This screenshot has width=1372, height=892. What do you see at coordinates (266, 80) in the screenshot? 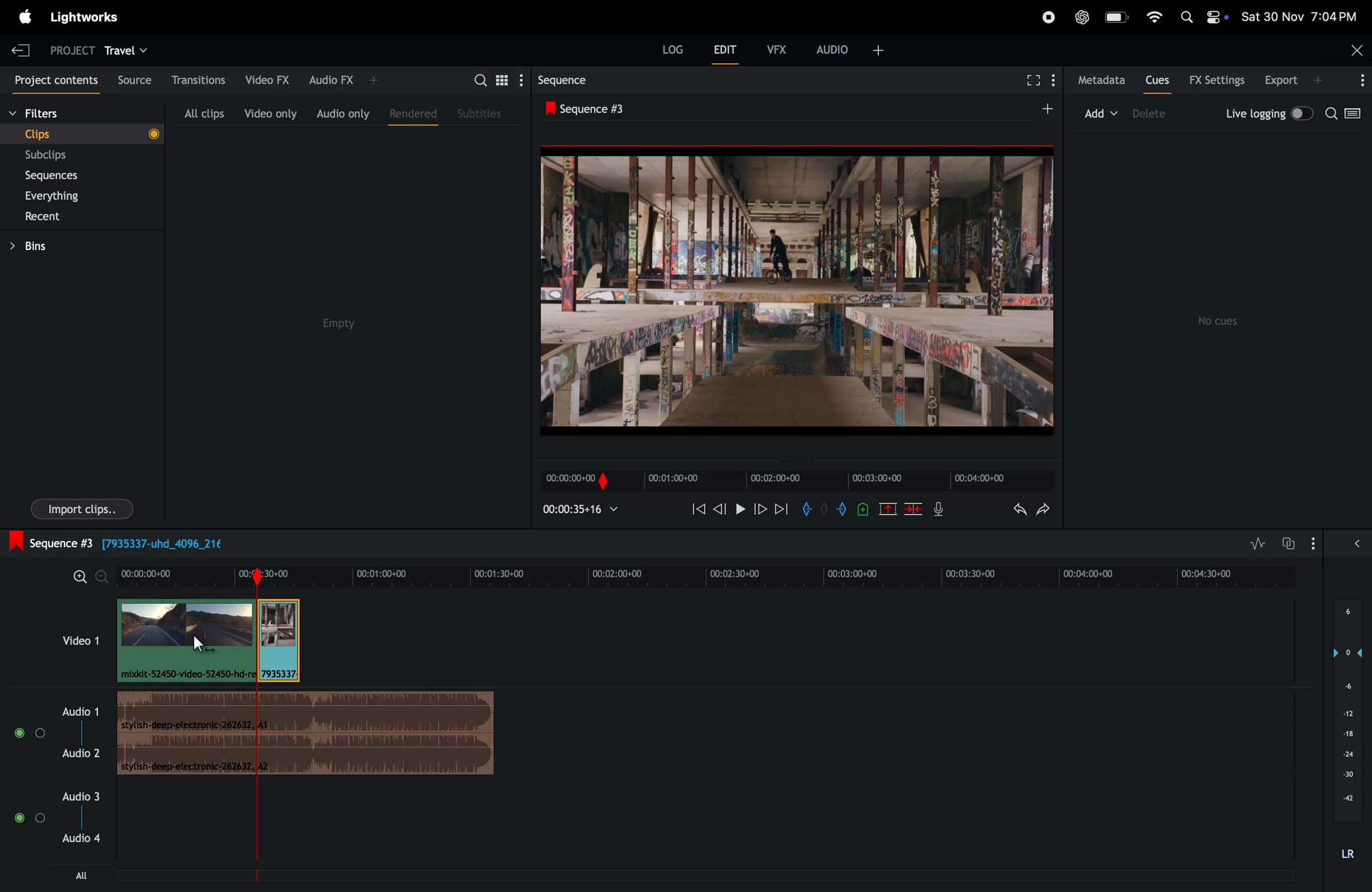
I see `video fx` at bounding box center [266, 80].